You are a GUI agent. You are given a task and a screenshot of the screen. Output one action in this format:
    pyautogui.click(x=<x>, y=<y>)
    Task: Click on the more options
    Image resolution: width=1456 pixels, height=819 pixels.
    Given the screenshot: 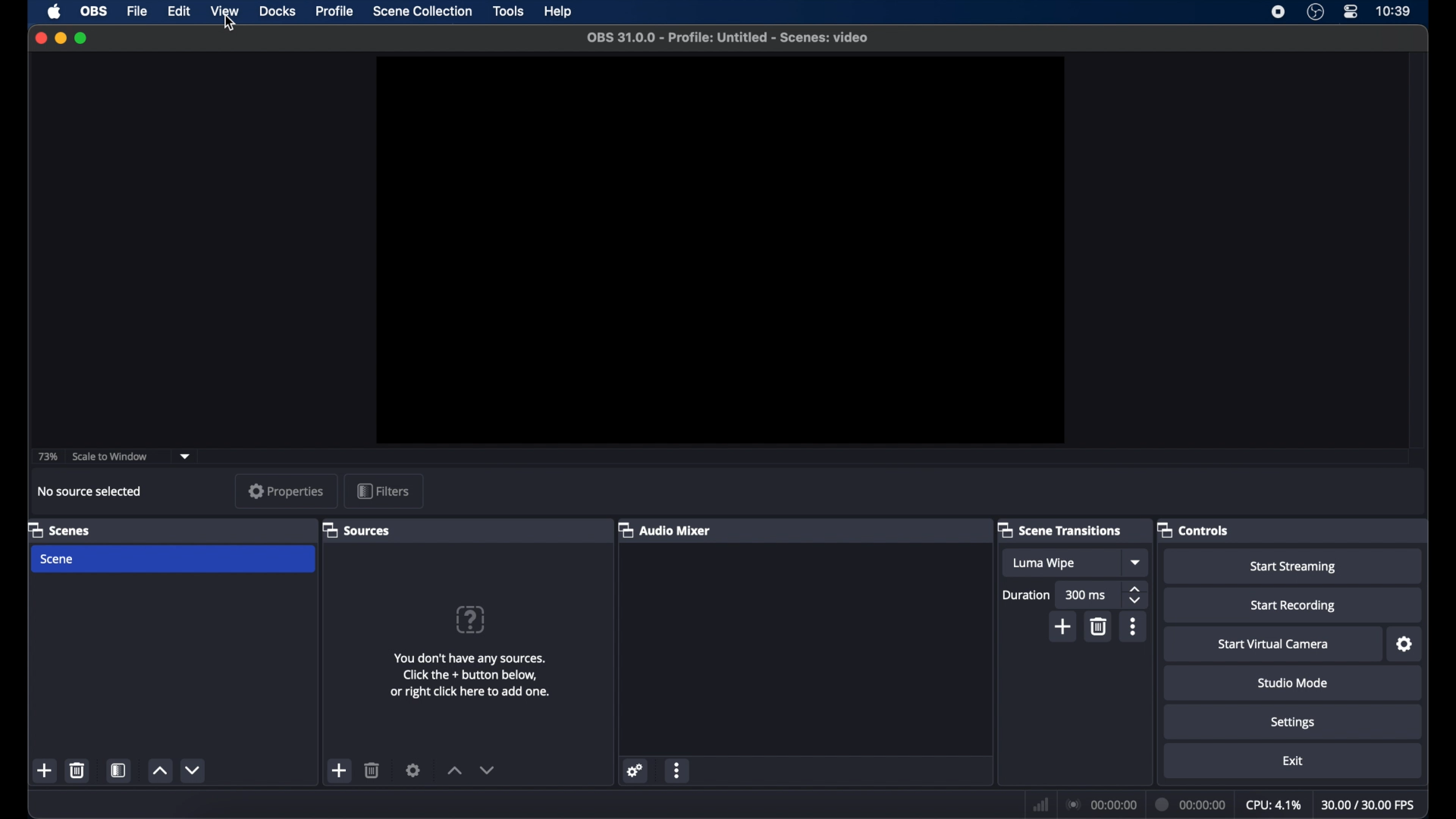 What is the action you would take?
    pyautogui.click(x=1133, y=626)
    